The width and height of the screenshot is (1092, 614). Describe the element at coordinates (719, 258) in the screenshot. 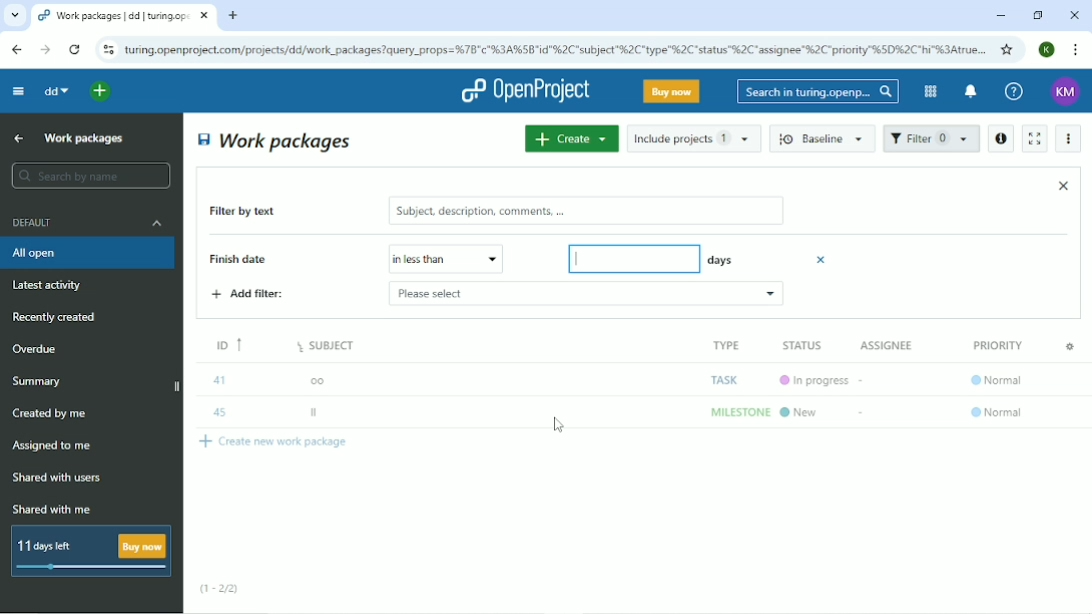

I see `days` at that location.